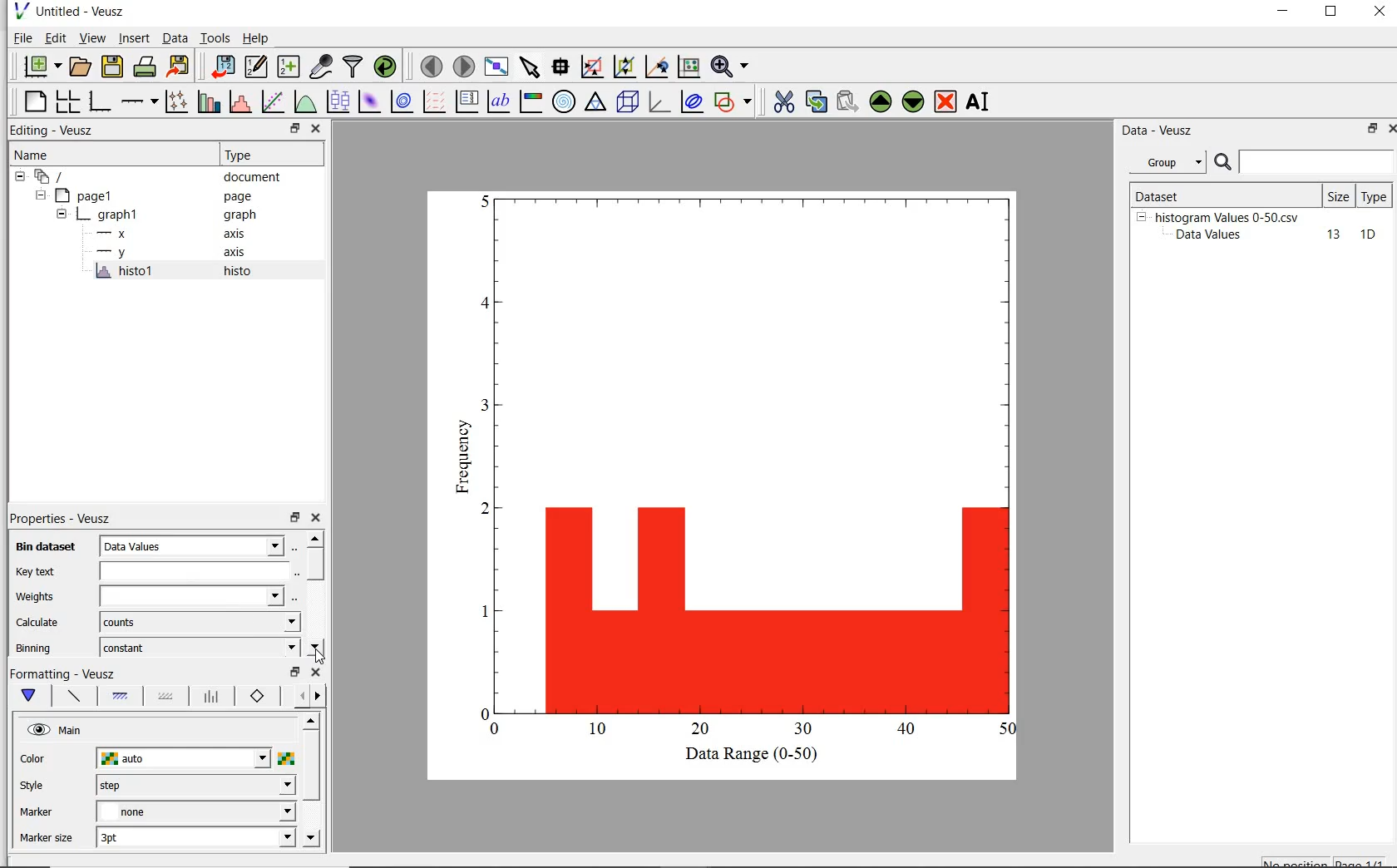  What do you see at coordinates (496, 65) in the screenshot?
I see `view plot fullscreen` at bounding box center [496, 65].